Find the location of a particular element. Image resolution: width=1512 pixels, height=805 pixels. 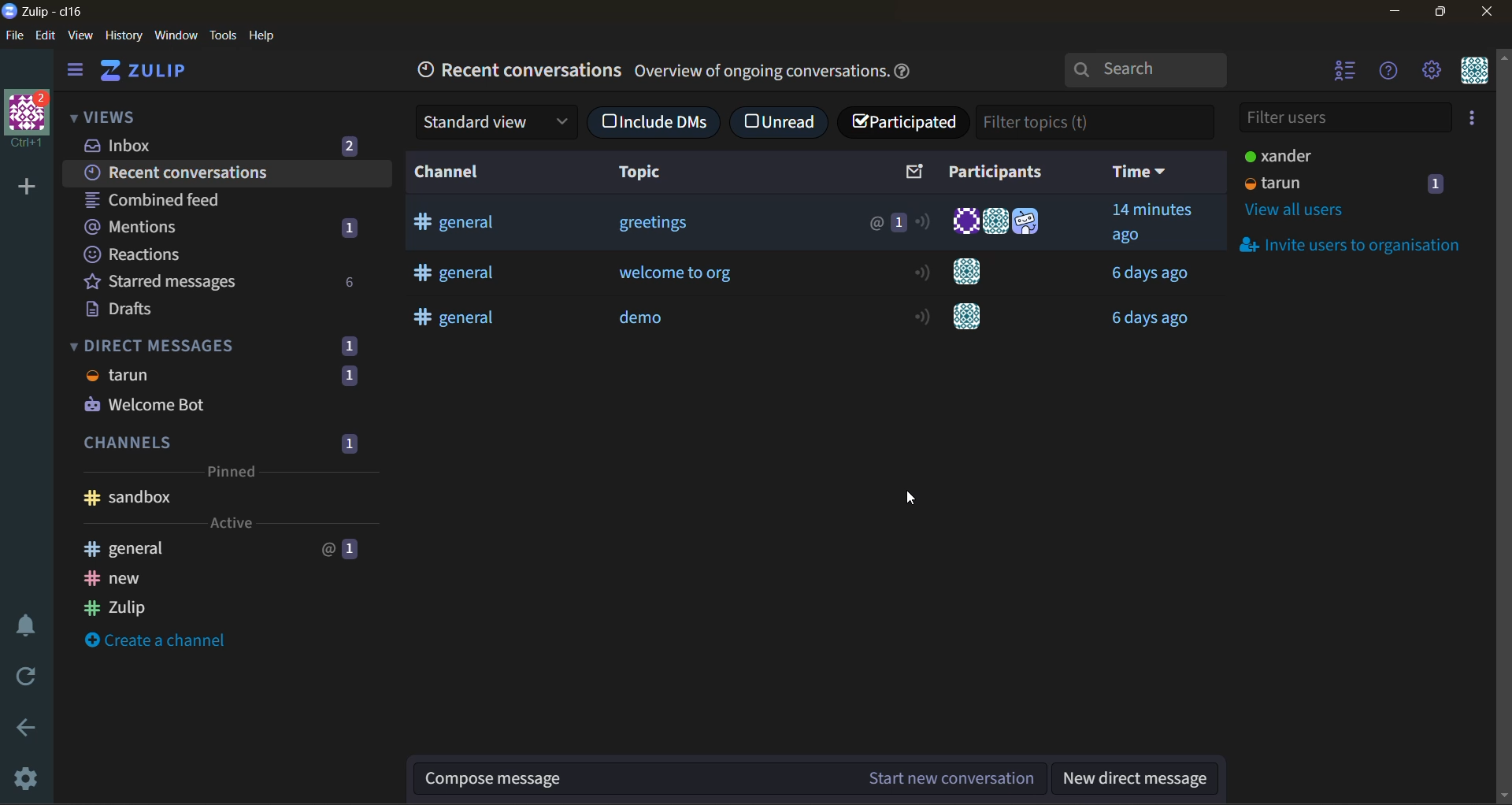

time is located at coordinates (1144, 223).